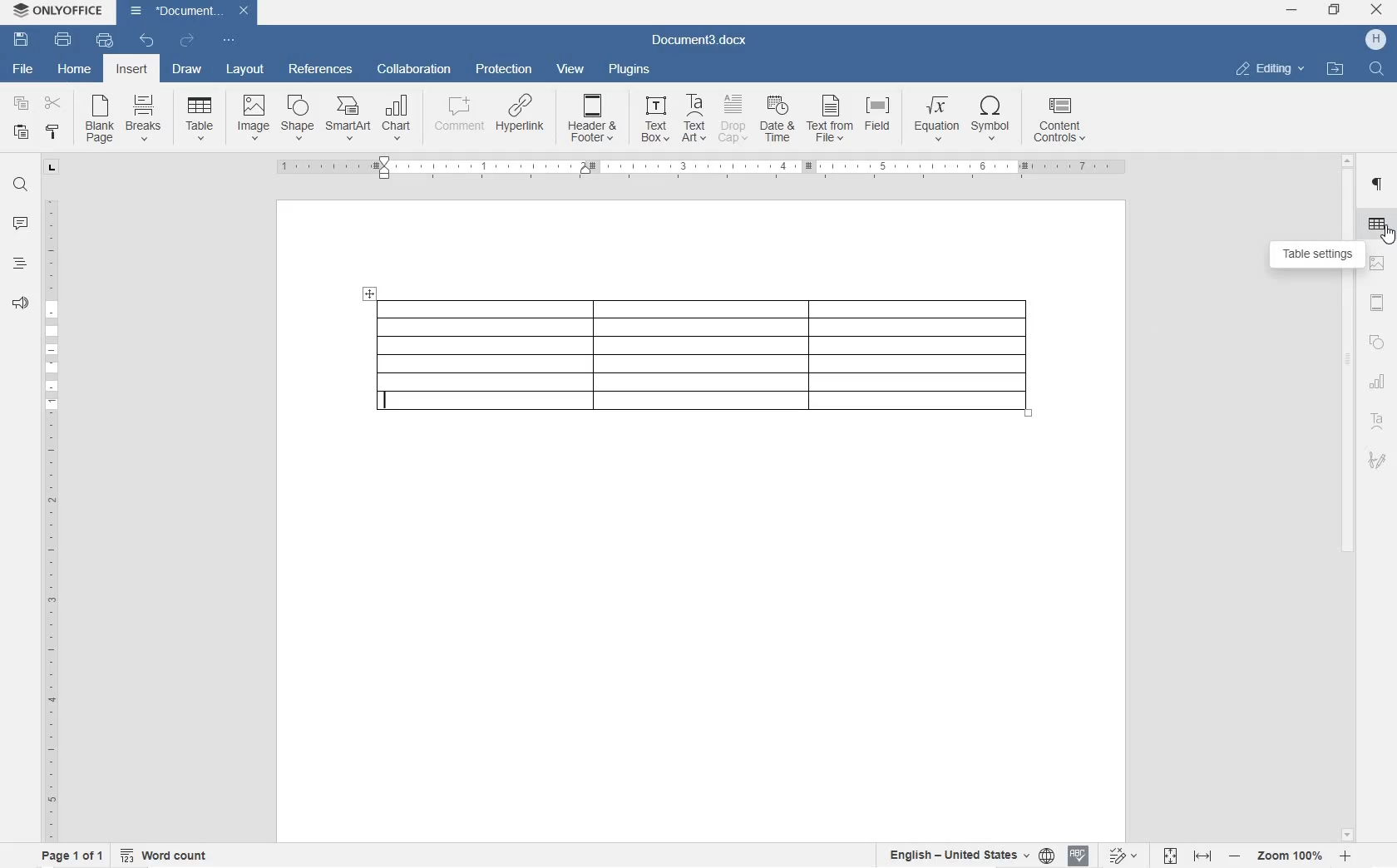 Image resolution: width=1397 pixels, height=868 pixels. Describe the element at coordinates (148, 40) in the screenshot. I see `UNDO` at that location.